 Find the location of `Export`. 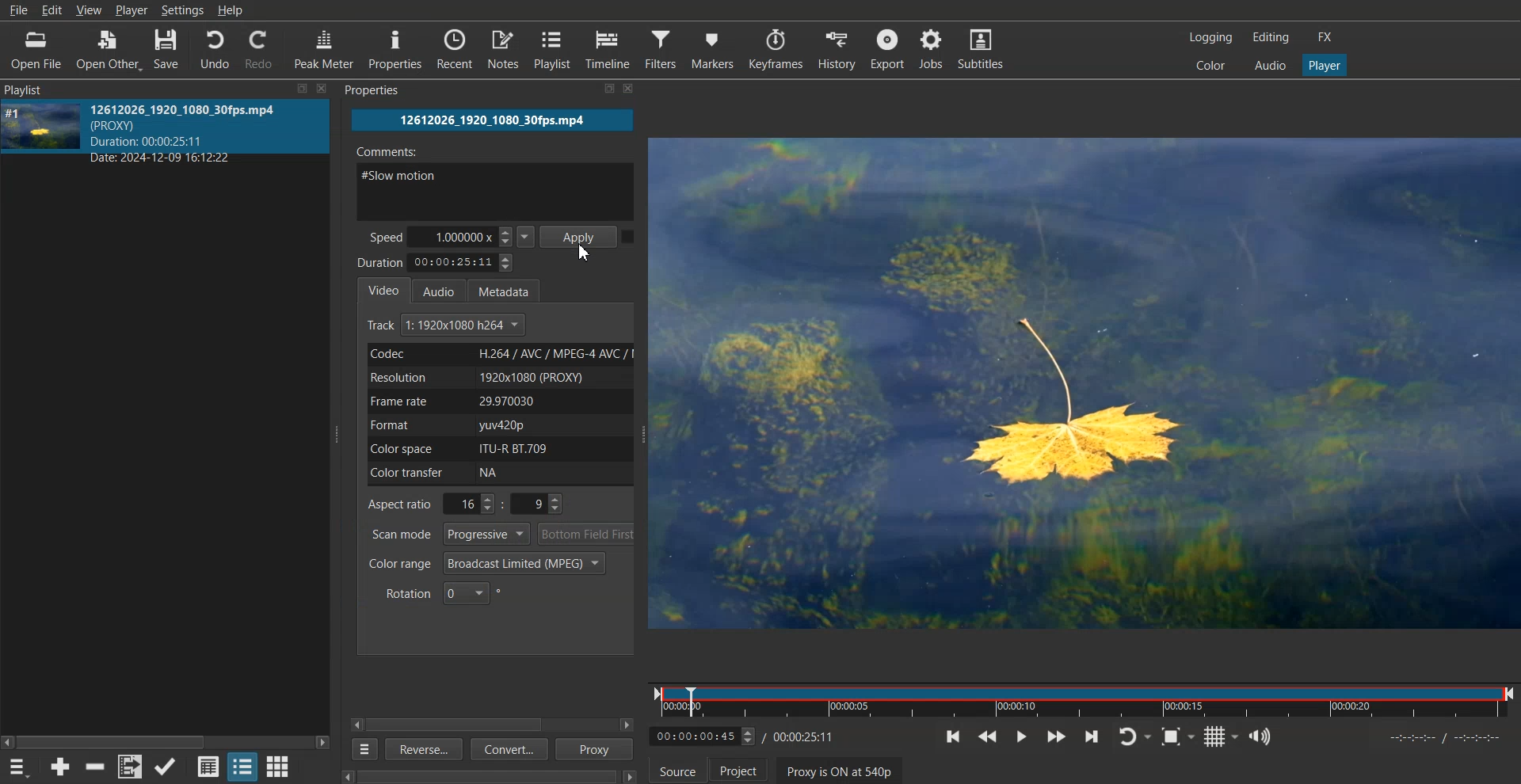

Export is located at coordinates (886, 48).